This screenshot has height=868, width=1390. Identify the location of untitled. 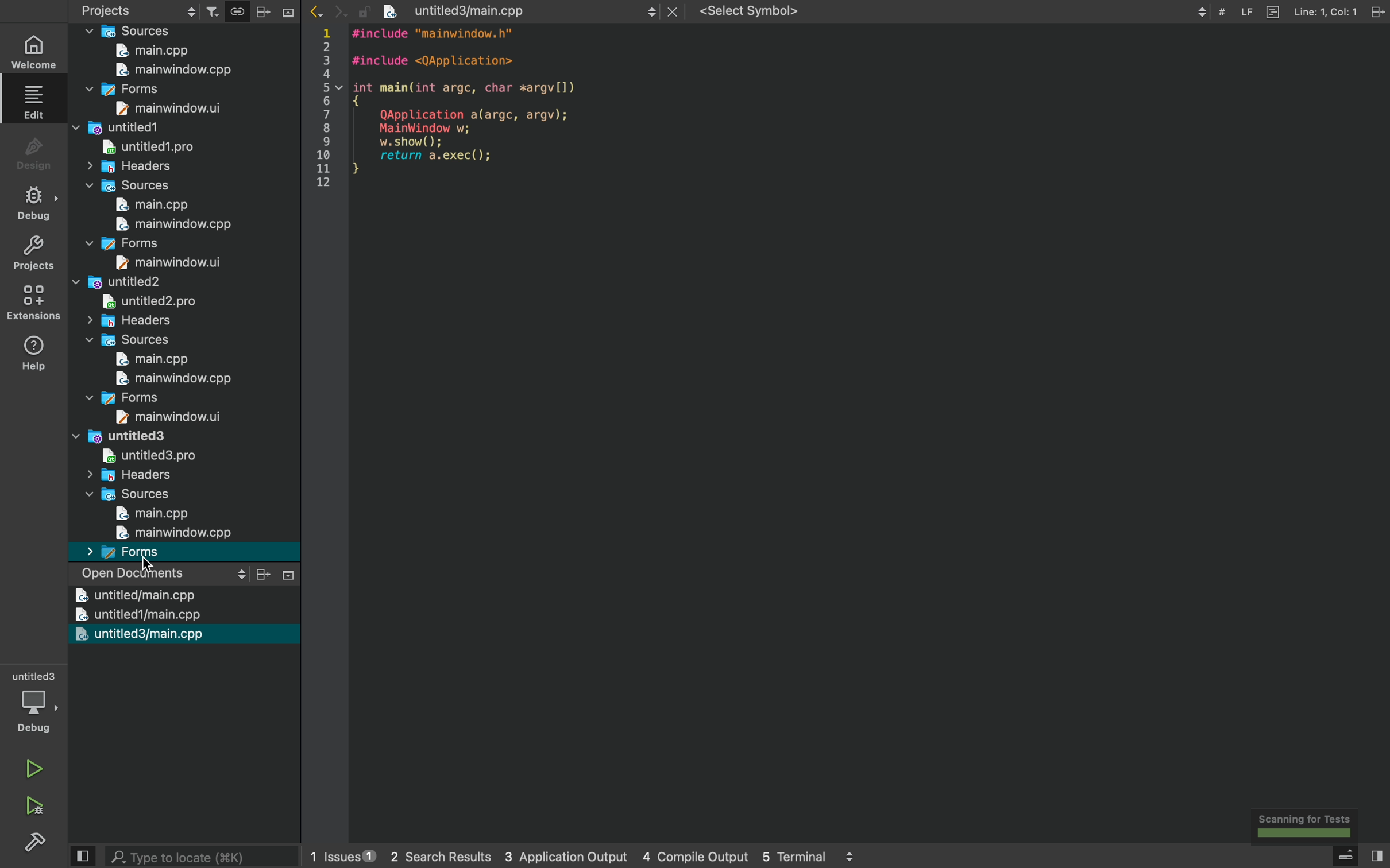
(134, 596).